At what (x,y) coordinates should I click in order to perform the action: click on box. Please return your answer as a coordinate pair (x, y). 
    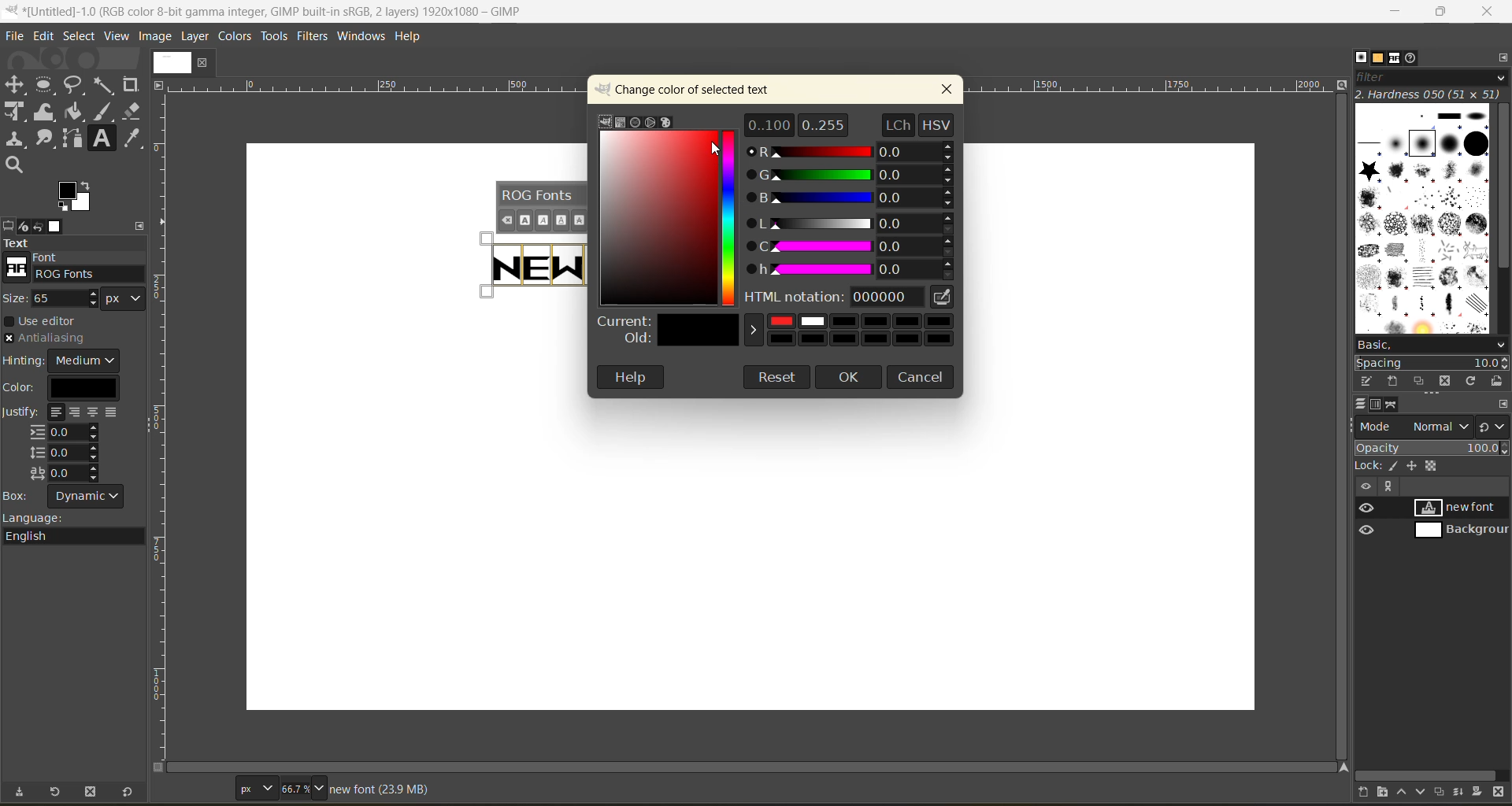
    Looking at the image, I should click on (72, 497).